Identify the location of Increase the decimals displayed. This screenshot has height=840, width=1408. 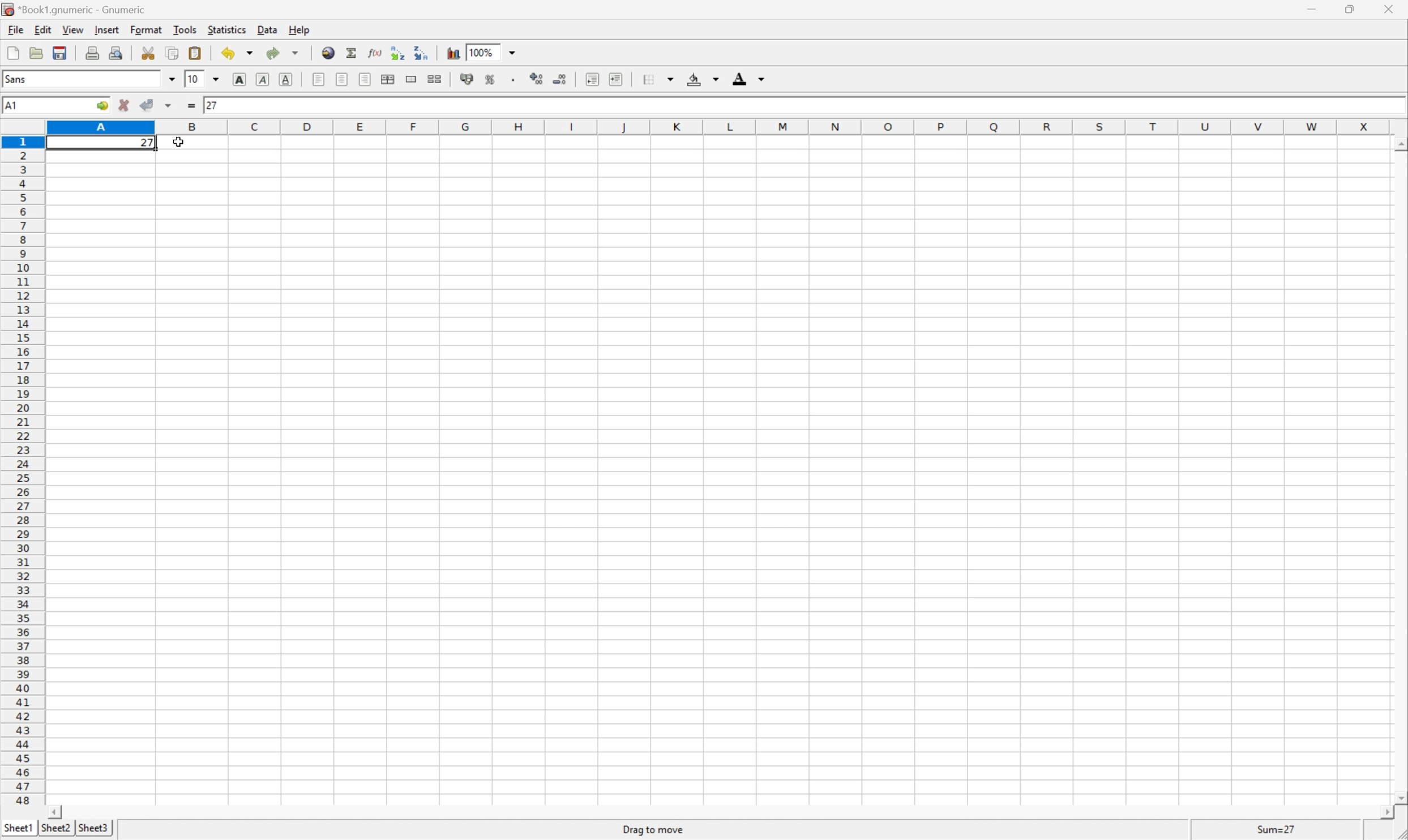
(537, 77).